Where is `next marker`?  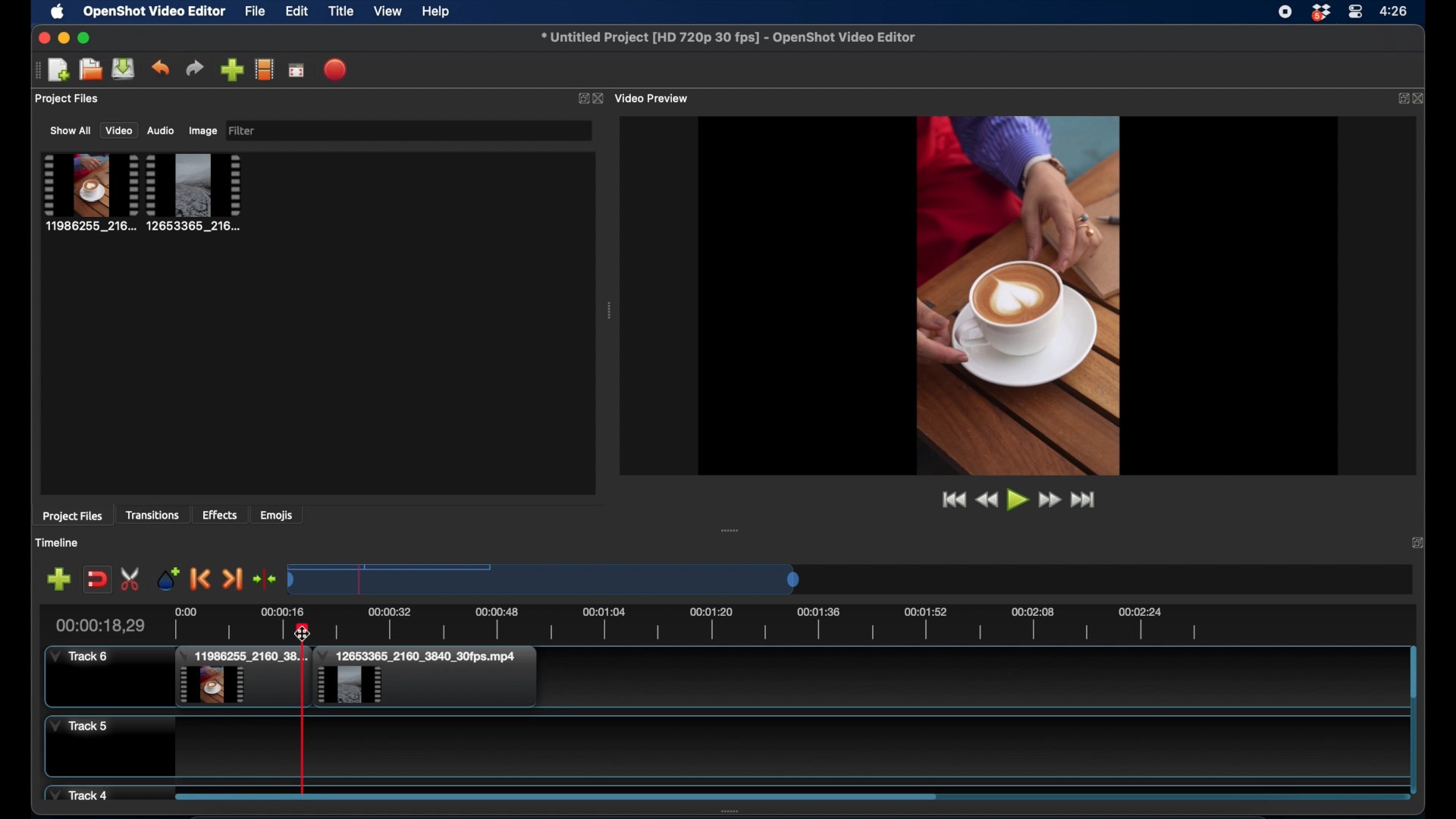
next marker is located at coordinates (232, 579).